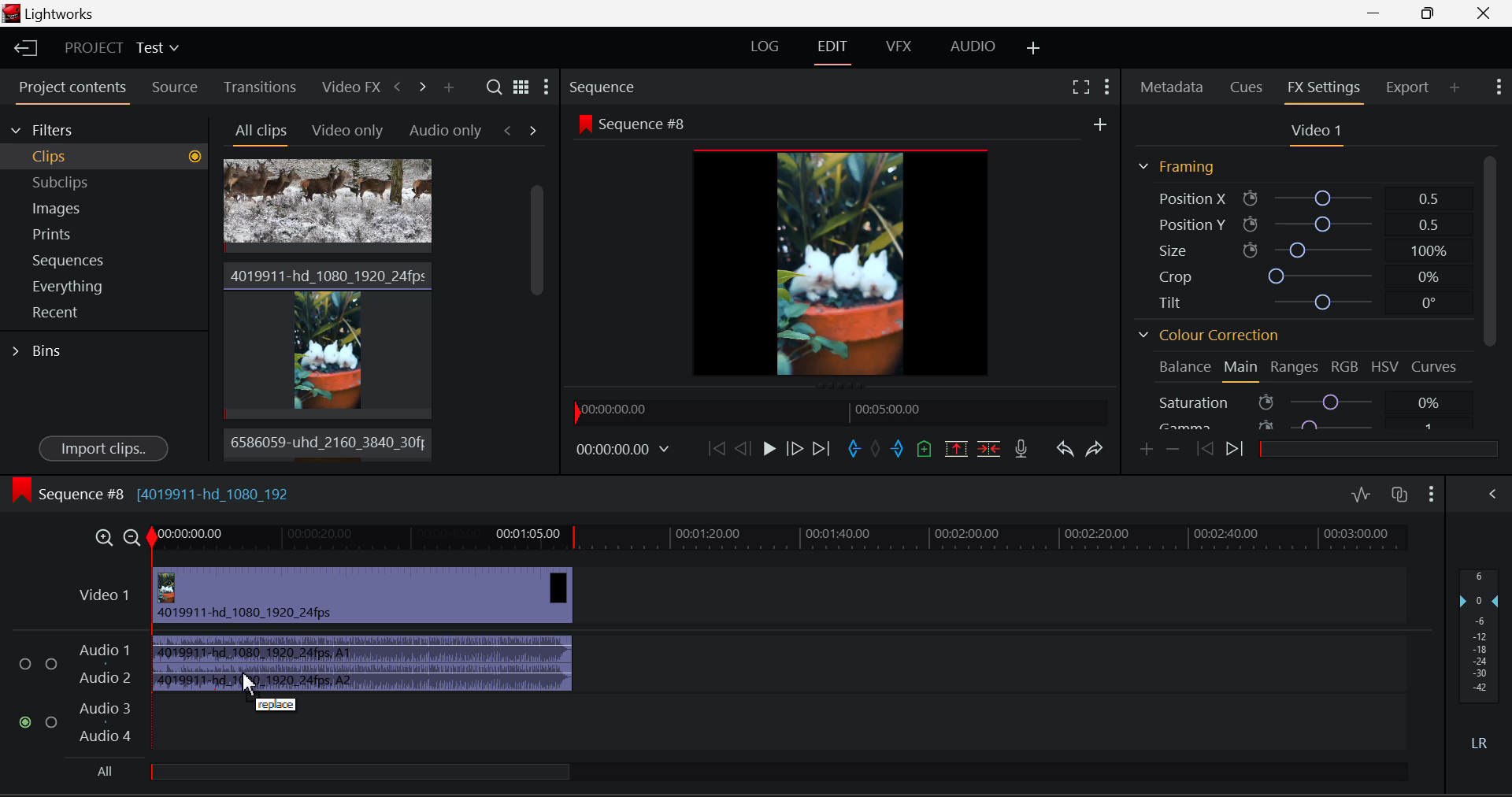 This screenshot has height=797, width=1512. What do you see at coordinates (636, 86) in the screenshot?
I see `Sequence Preview Section` at bounding box center [636, 86].